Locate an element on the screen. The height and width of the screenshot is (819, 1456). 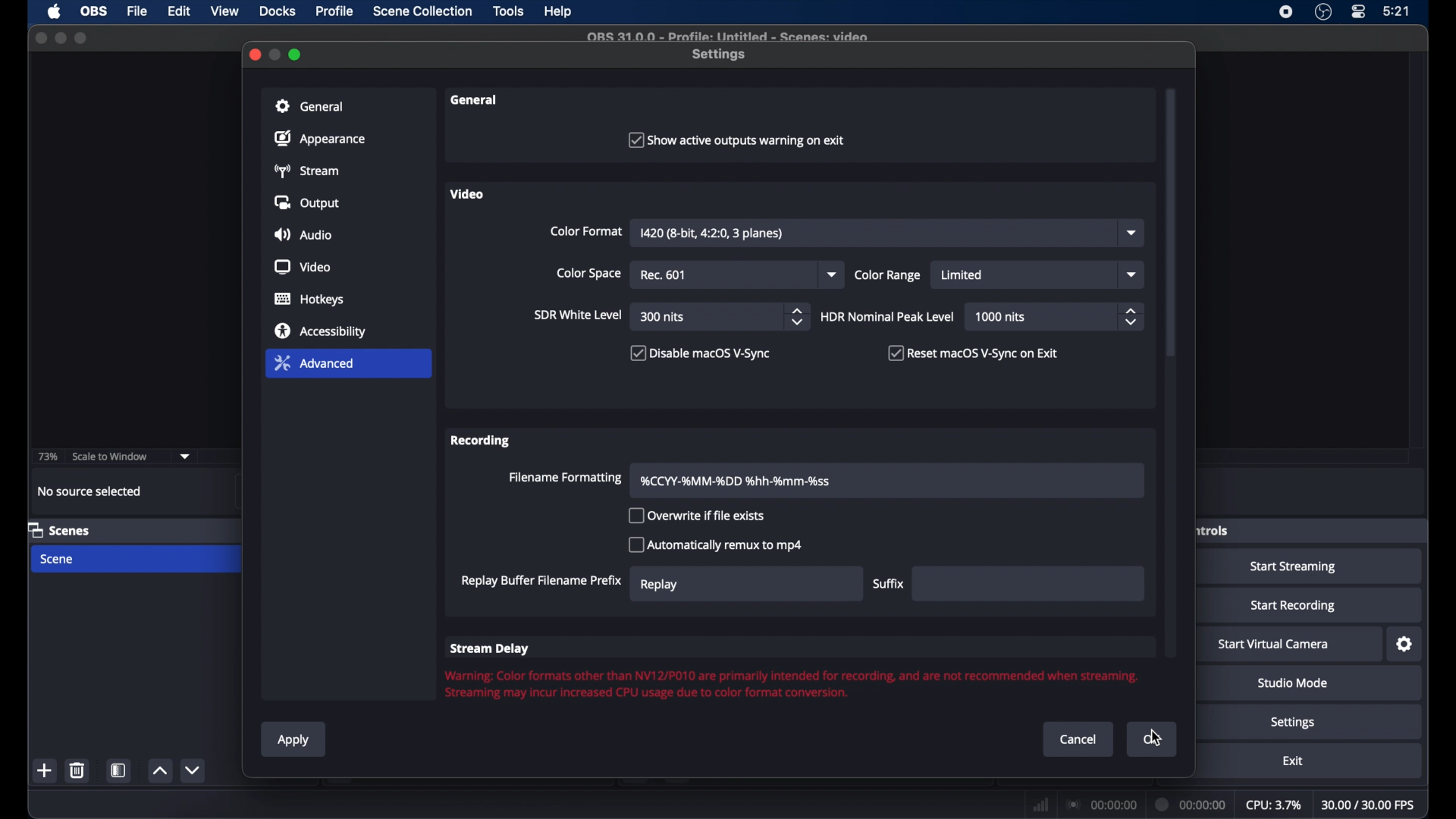
control center is located at coordinates (1357, 12).